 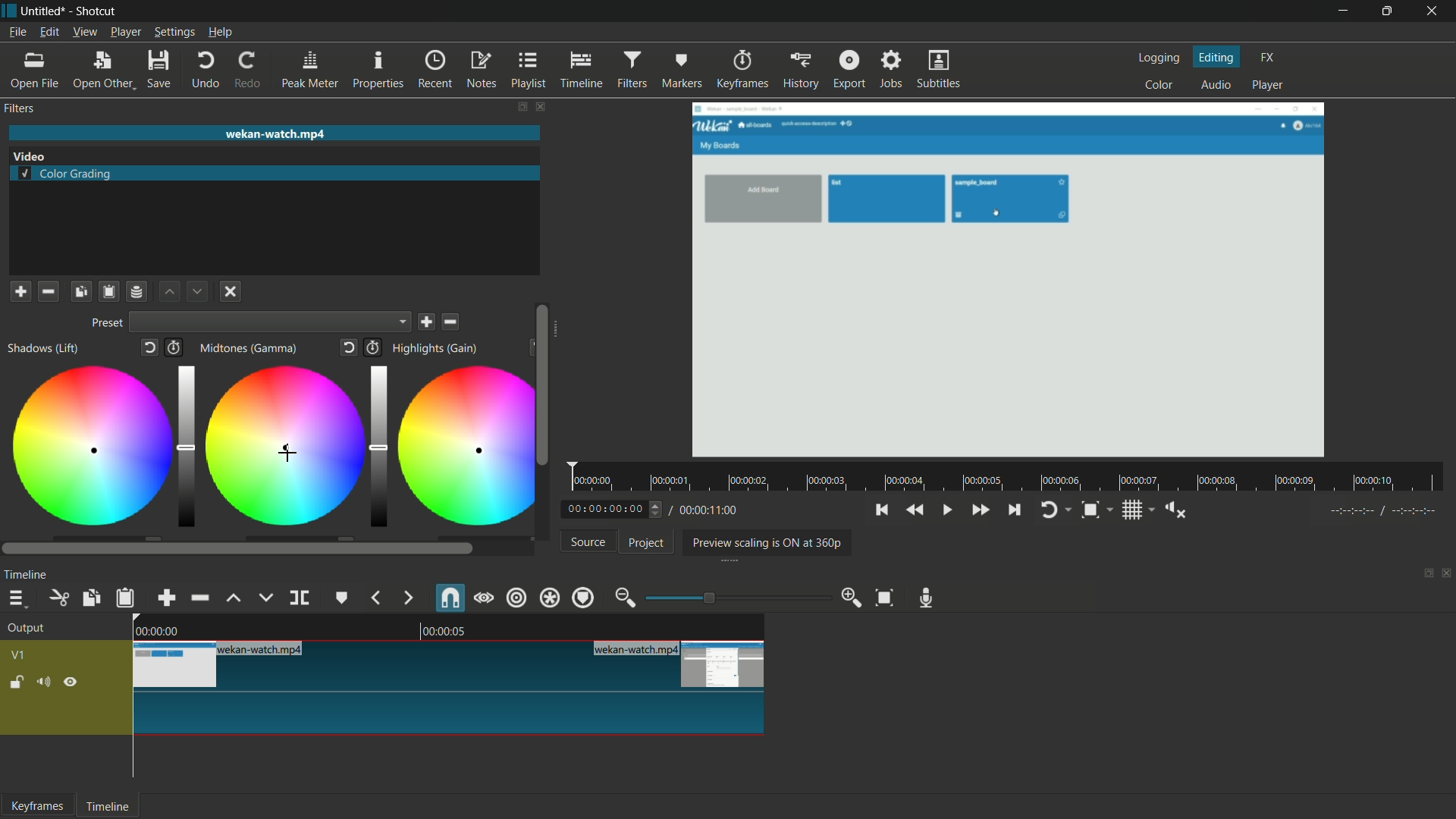 I want to click on properties, so click(x=378, y=69).